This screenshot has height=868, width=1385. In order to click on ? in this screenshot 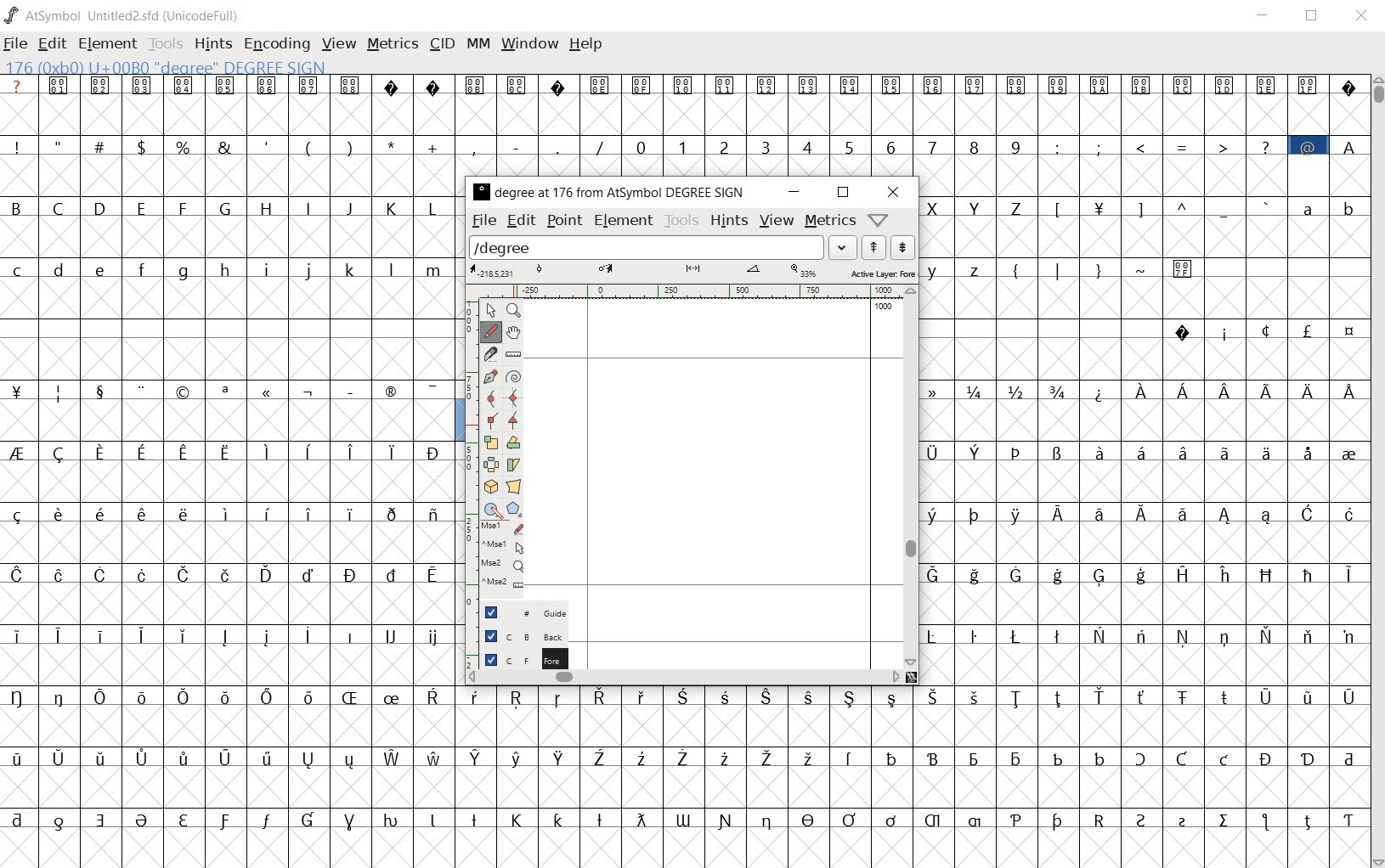, I will do `click(17, 86)`.